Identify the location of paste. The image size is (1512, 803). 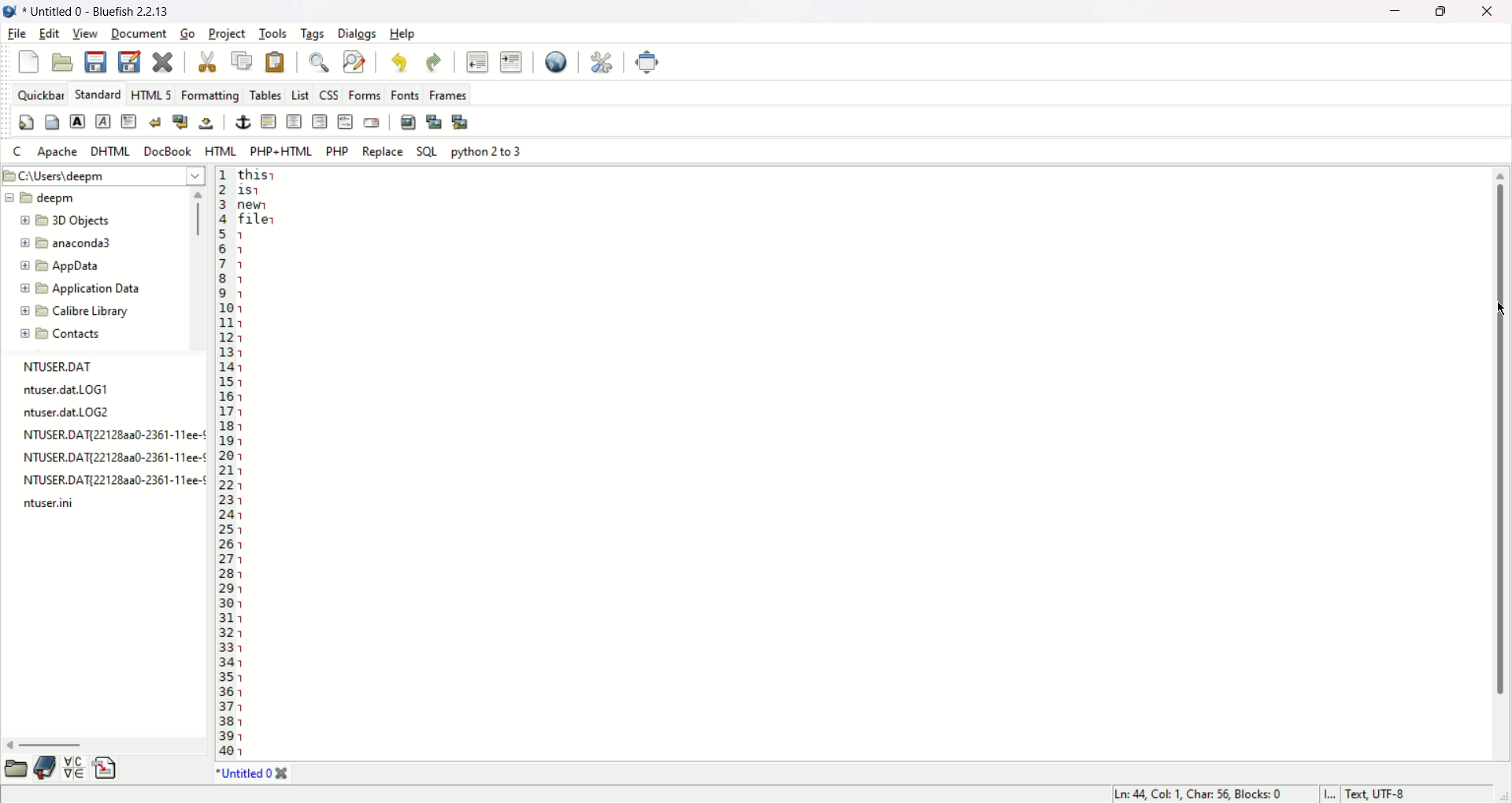
(275, 62).